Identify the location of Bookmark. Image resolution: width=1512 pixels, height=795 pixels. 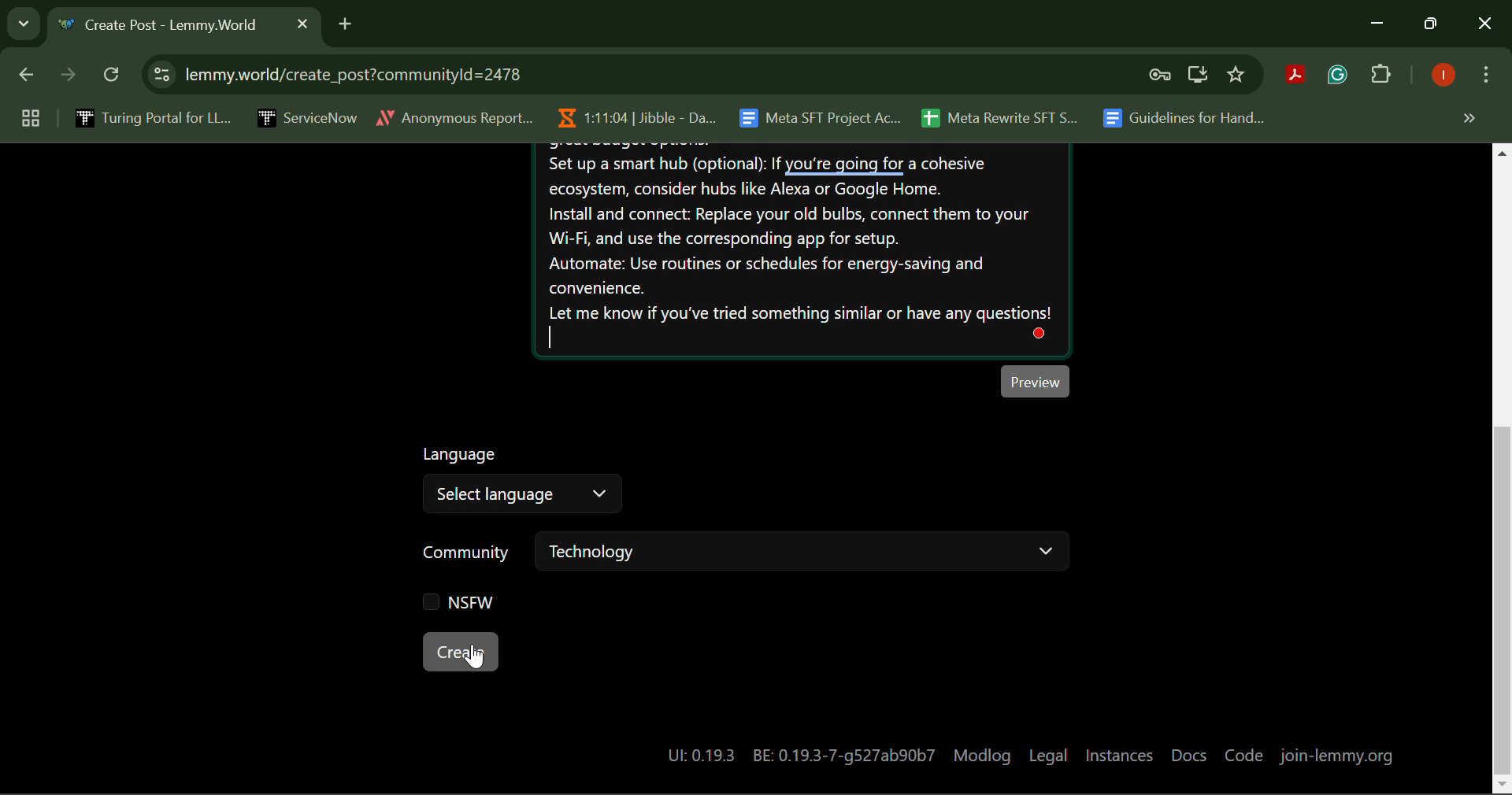
(1237, 75).